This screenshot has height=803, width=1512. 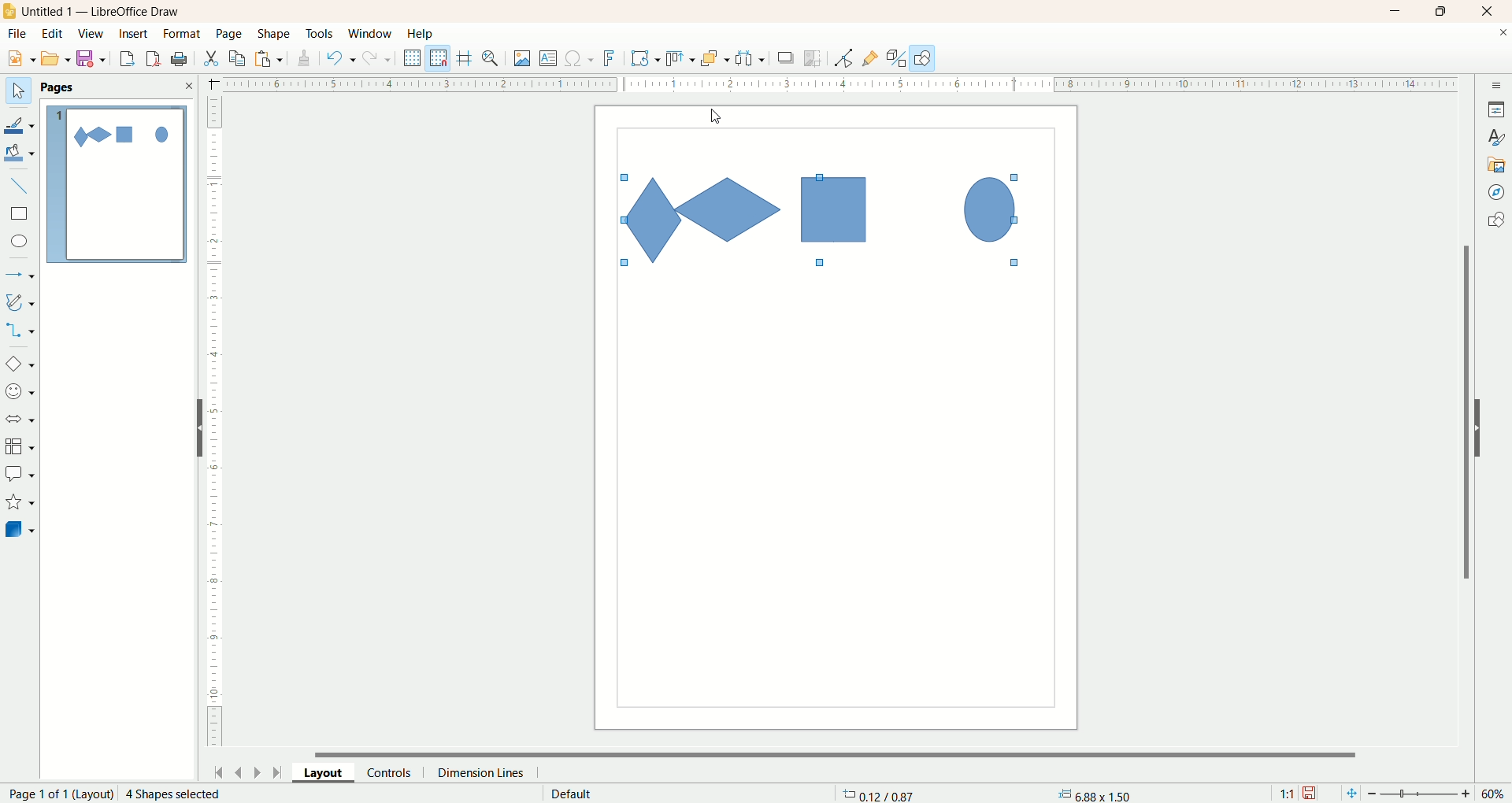 I want to click on fontwork text, so click(x=612, y=59).